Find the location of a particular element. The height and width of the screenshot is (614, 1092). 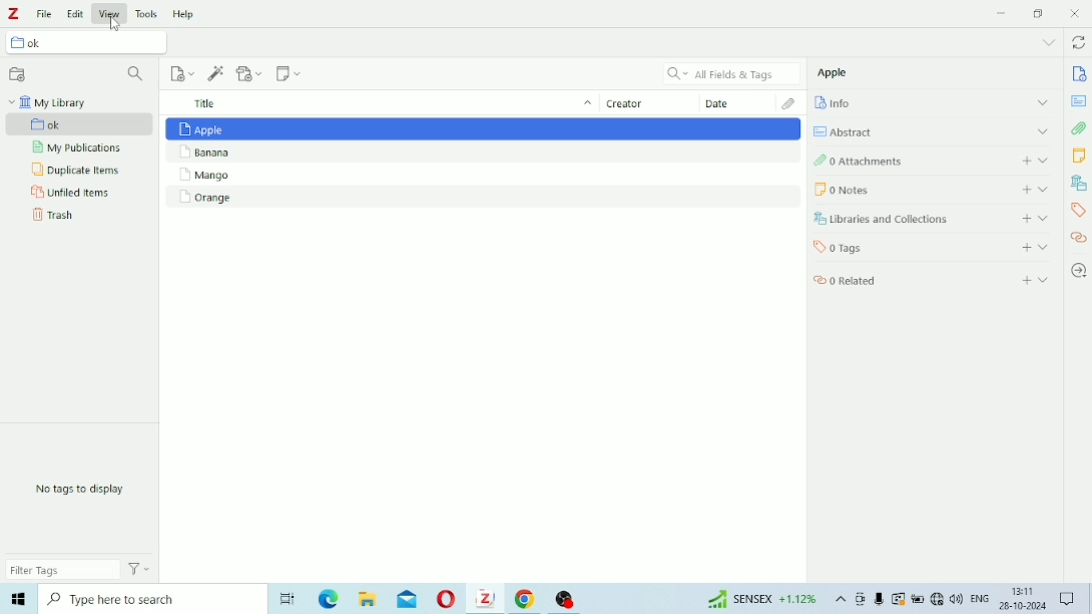

Locate is located at coordinates (1080, 270).